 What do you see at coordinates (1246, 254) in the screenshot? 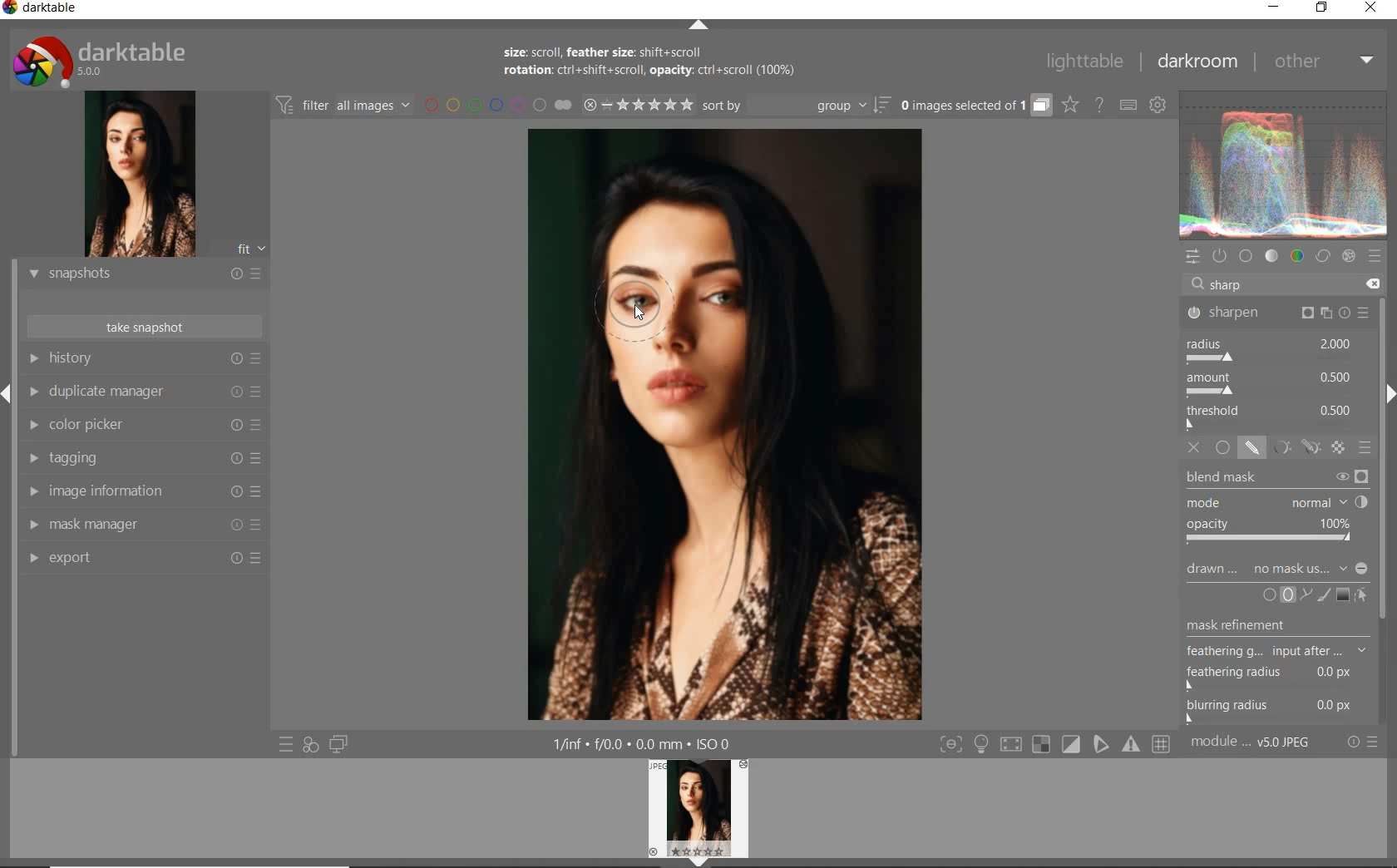
I see `base` at bounding box center [1246, 254].